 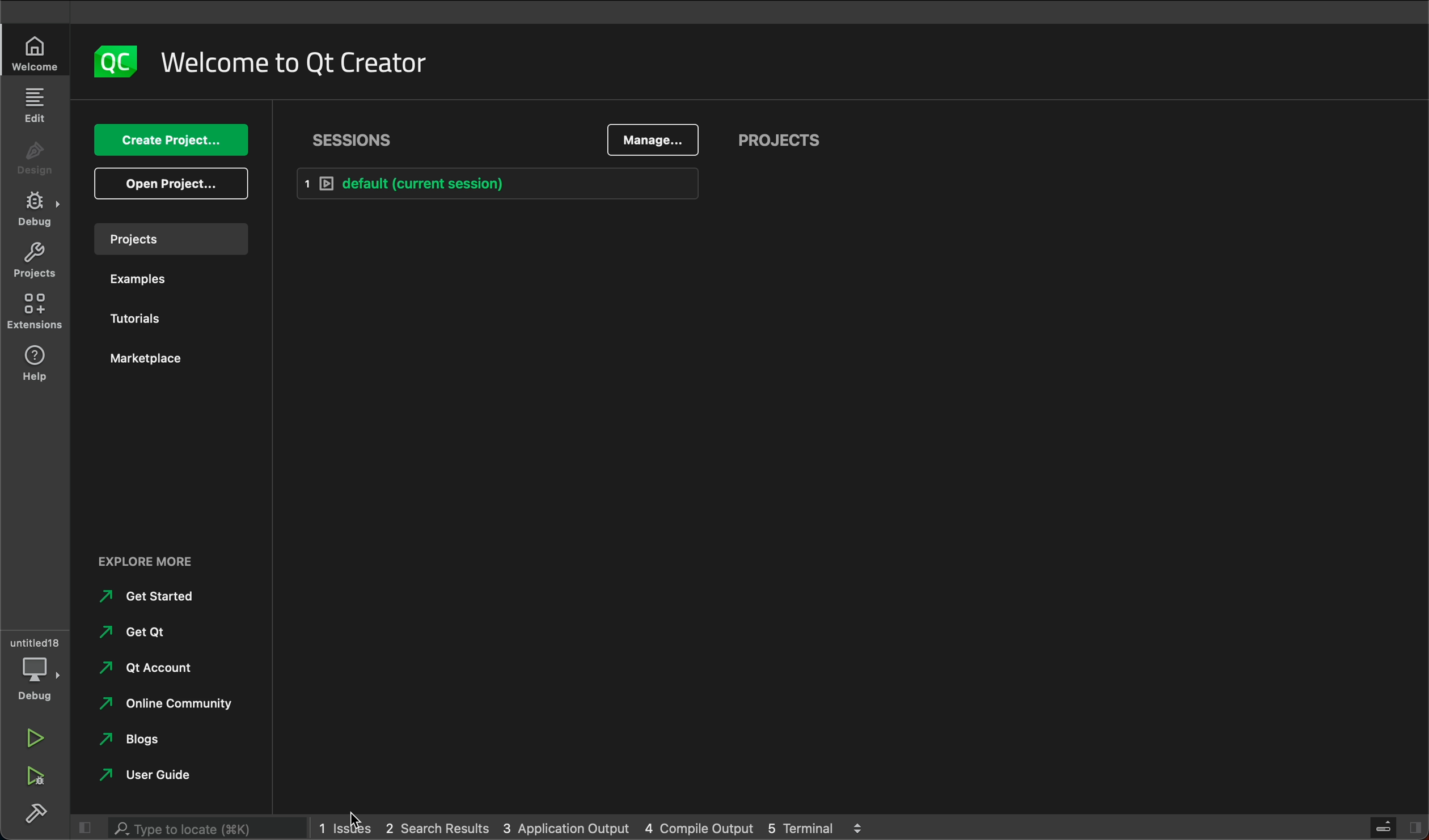 What do you see at coordinates (203, 828) in the screenshot?
I see `search bar` at bounding box center [203, 828].